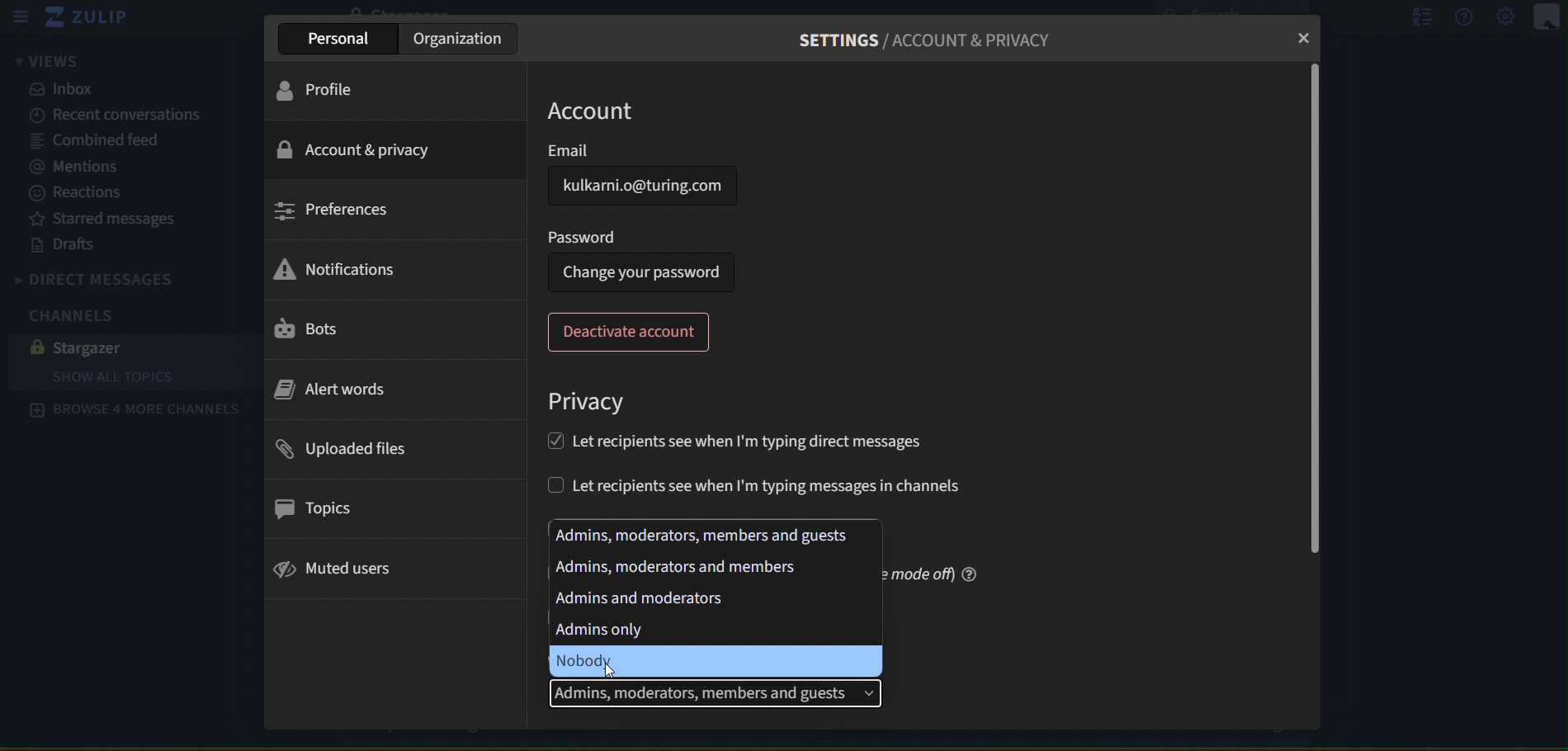 The image size is (1568, 751). Describe the element at coordinates (310, 508) in the screenshot. I see `topics` at that location.